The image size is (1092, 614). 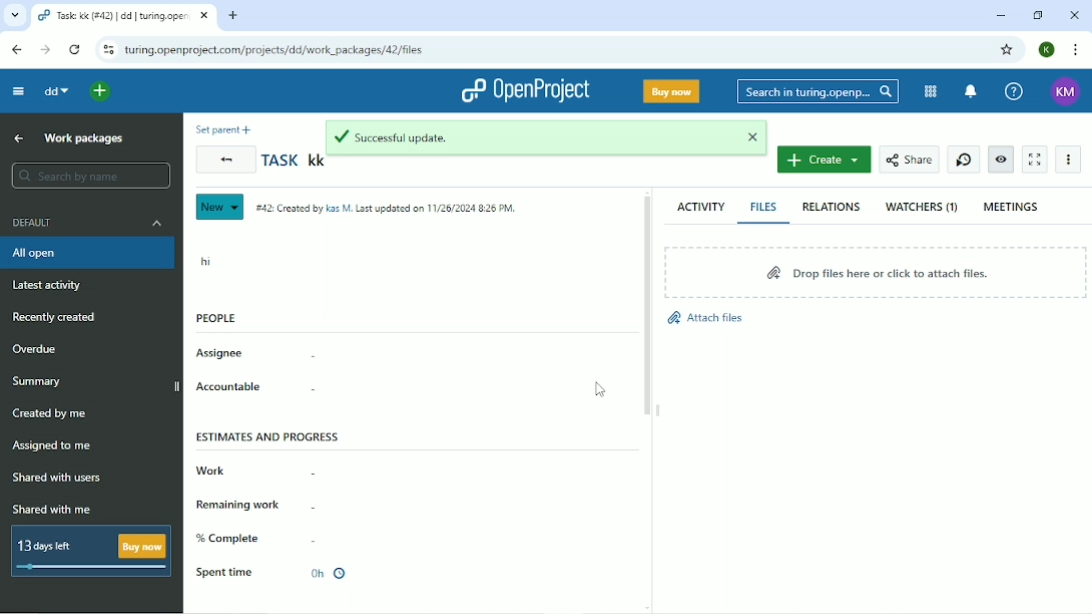 What do you see at coordinates (1073, 49) in the screenshot?
I see `Customize and control google chrome` at bounding box center [1073, 49].